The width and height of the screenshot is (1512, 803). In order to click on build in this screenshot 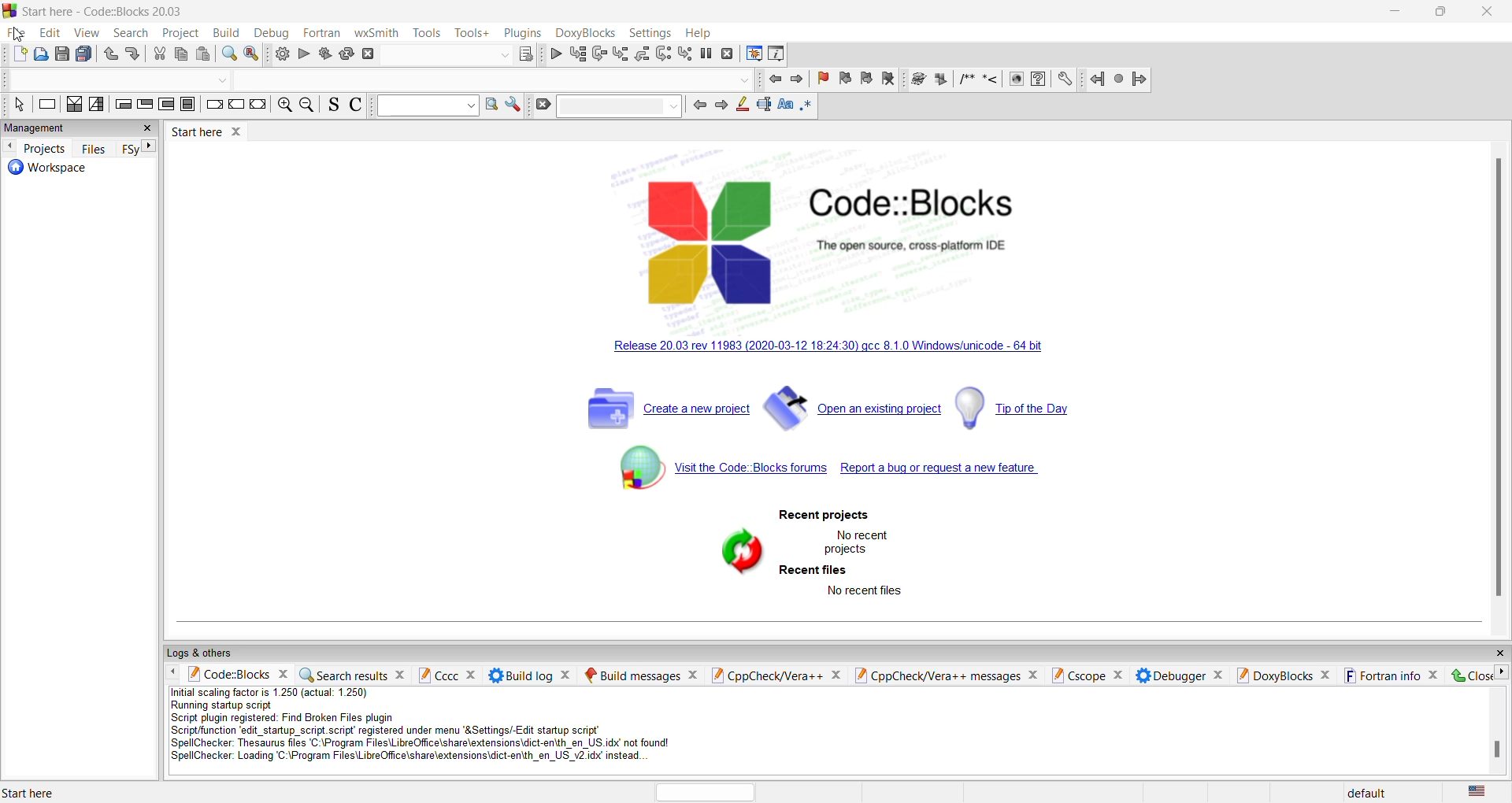, I will do `click(282, 54)`.